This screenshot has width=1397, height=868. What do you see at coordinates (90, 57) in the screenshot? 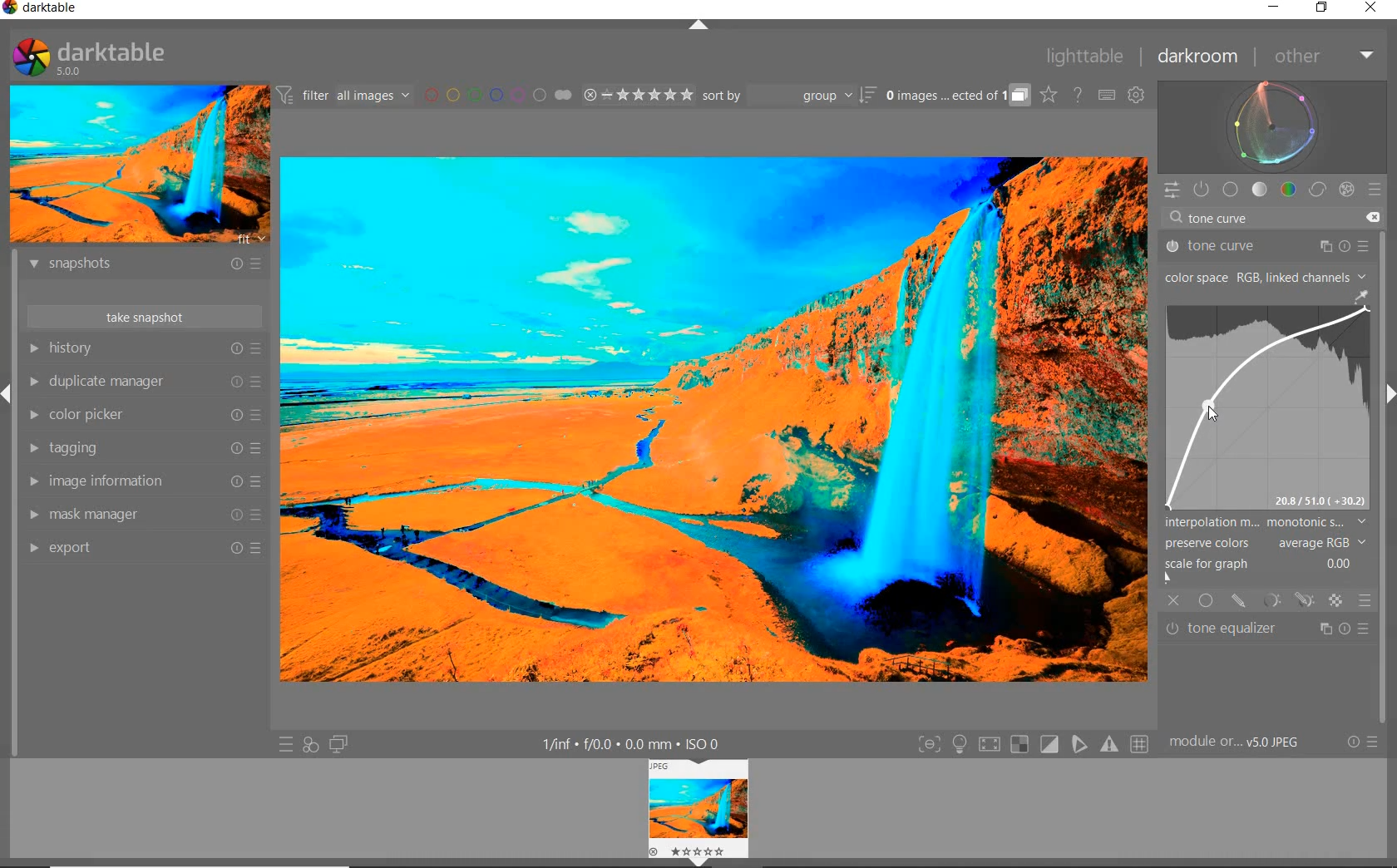
I see `SYSTEM LOGO` at bounding box center [90, 57].